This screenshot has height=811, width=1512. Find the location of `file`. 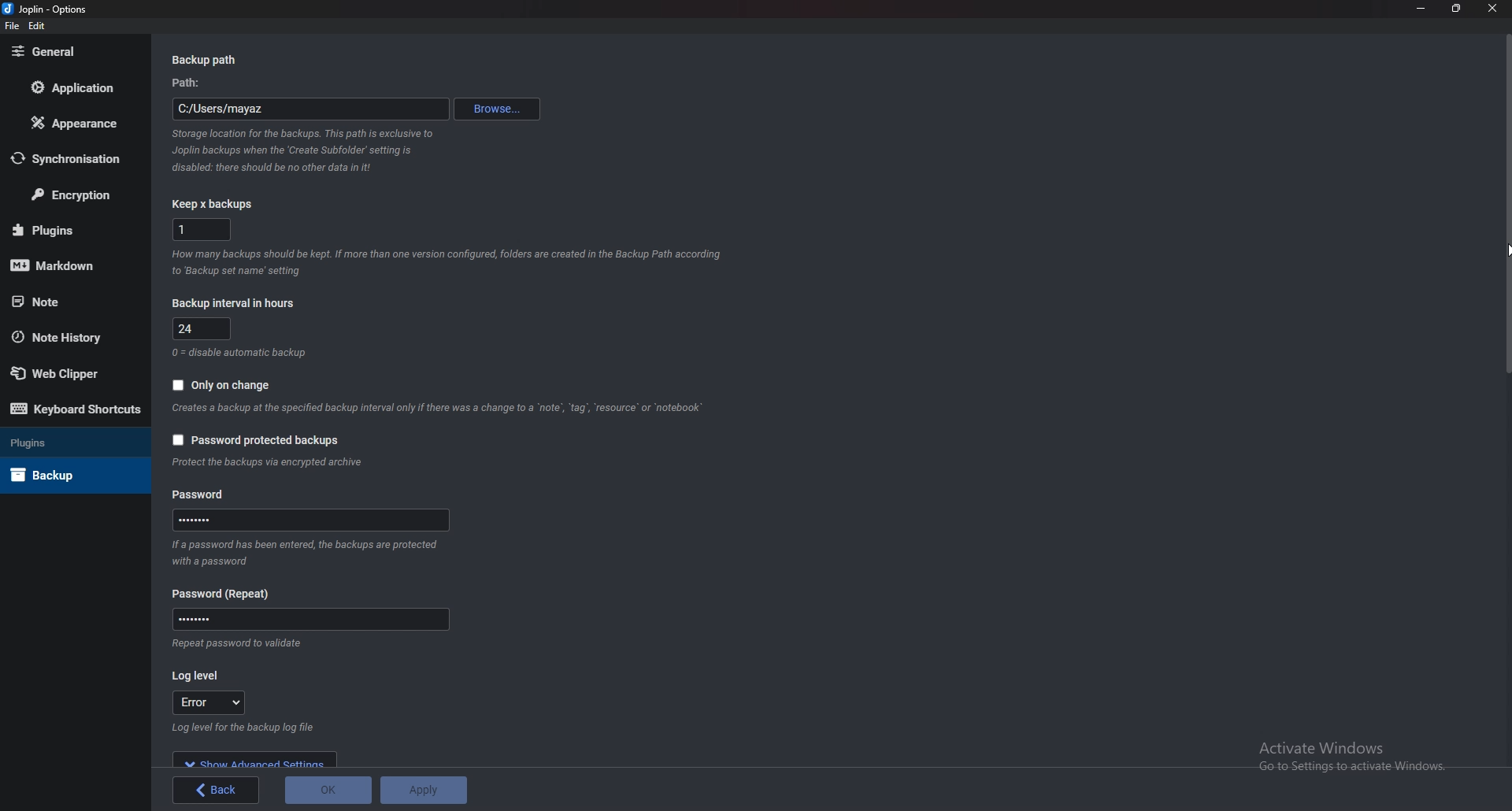

file is located at coordinates (11, 27).